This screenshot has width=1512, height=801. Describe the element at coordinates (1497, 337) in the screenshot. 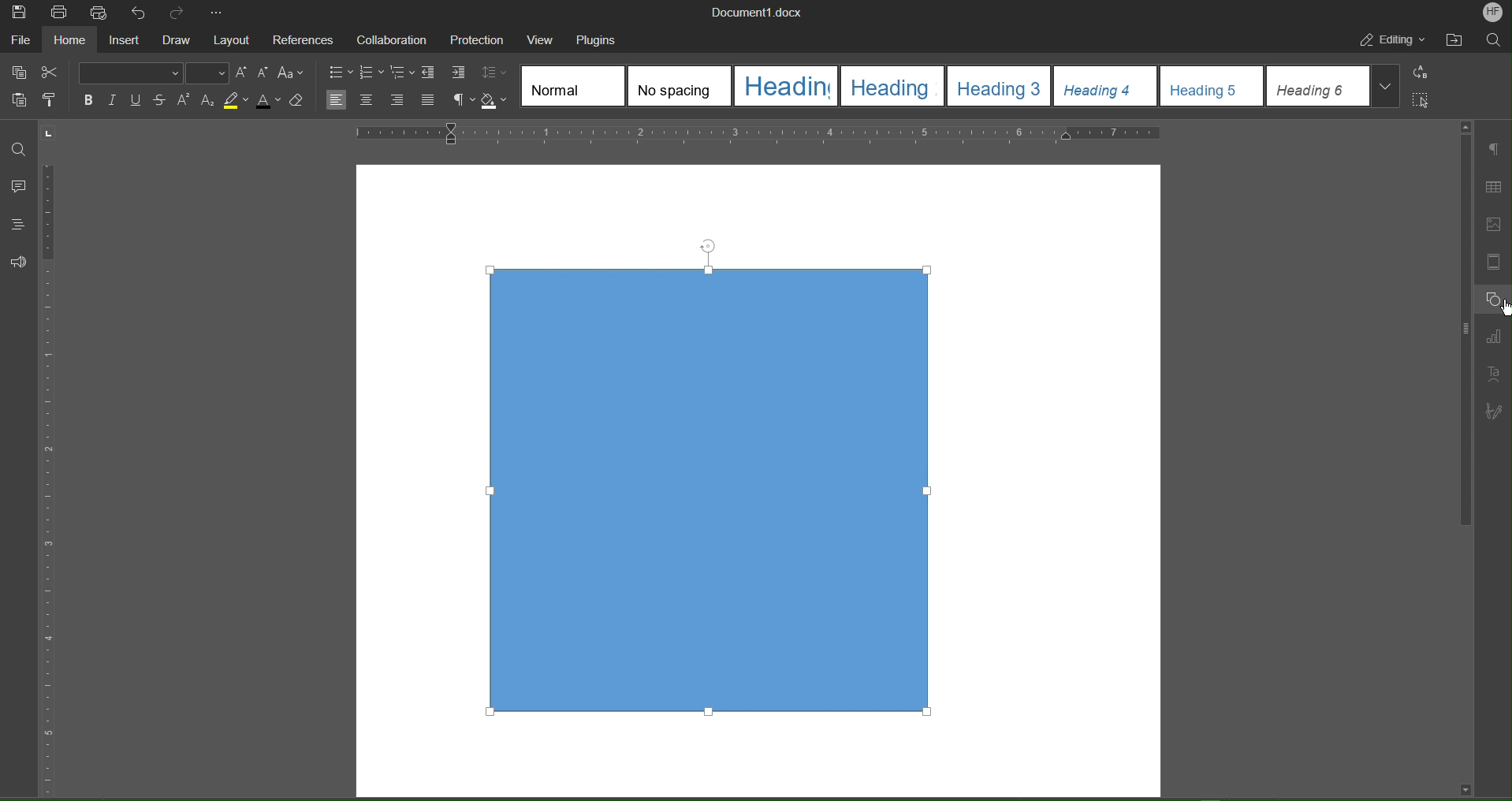

I see `Graph Settings` at that location.